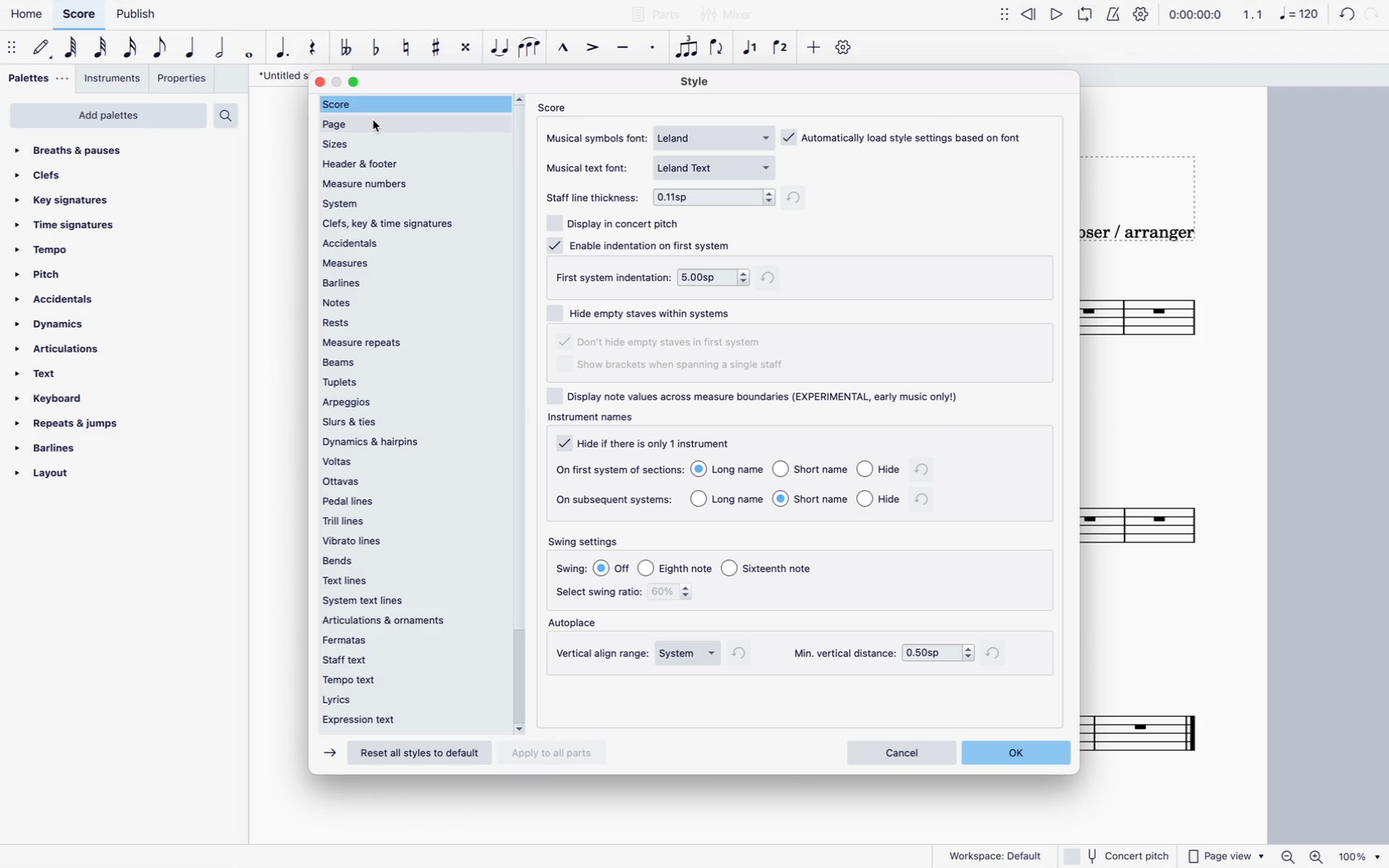 Image resolution: width=1389 pixels, height=868 pixels. Describe the element at coordinates (45, 274) in the screenshot. I see `pitch` at that location.